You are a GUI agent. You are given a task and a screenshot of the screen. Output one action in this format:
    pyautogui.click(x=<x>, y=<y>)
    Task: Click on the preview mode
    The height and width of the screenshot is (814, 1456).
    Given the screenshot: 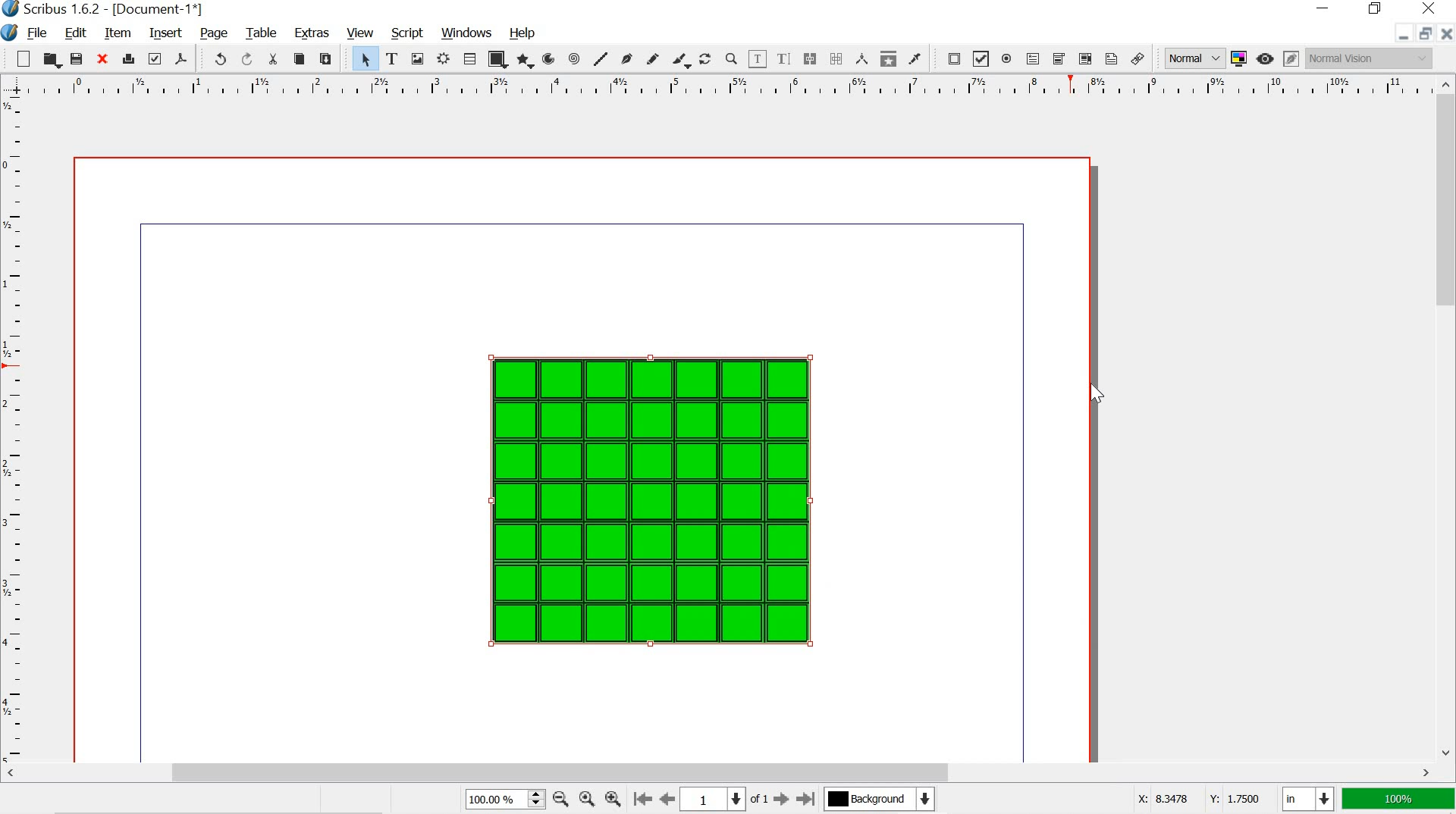 What is the action you would take?
    pyautogui.click(x=1265, y=59)
    